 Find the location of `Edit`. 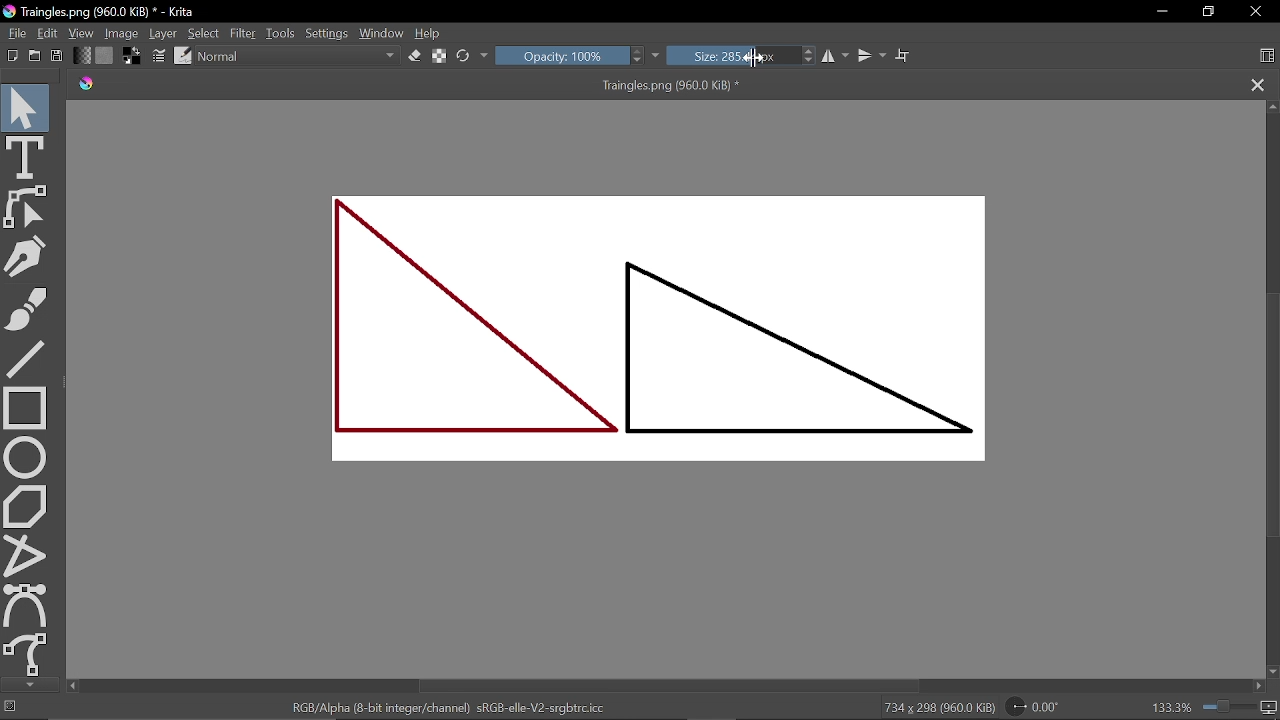

Edit is located at coordinates (47, 33).